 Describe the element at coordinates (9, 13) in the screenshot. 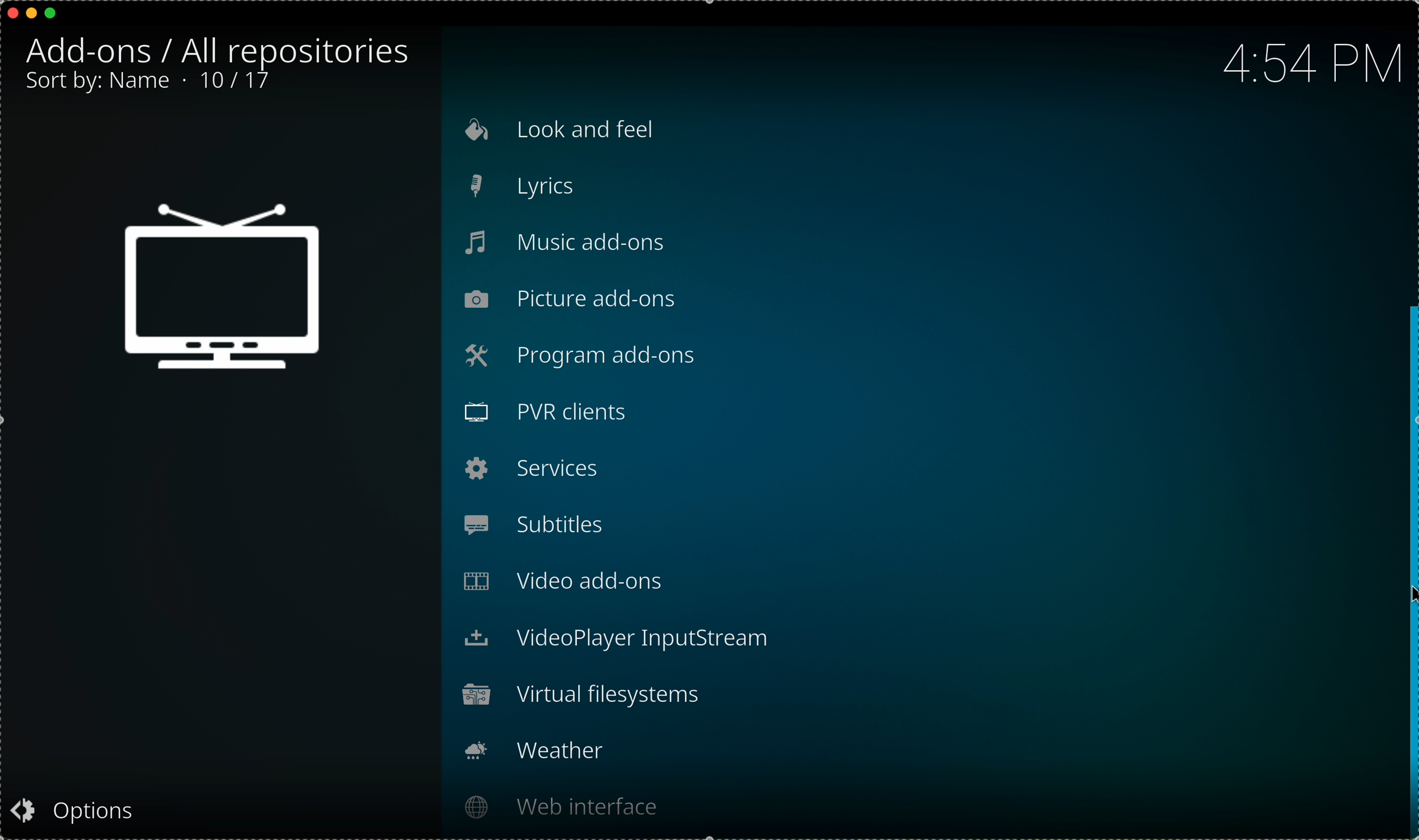

I see `close` at that location.